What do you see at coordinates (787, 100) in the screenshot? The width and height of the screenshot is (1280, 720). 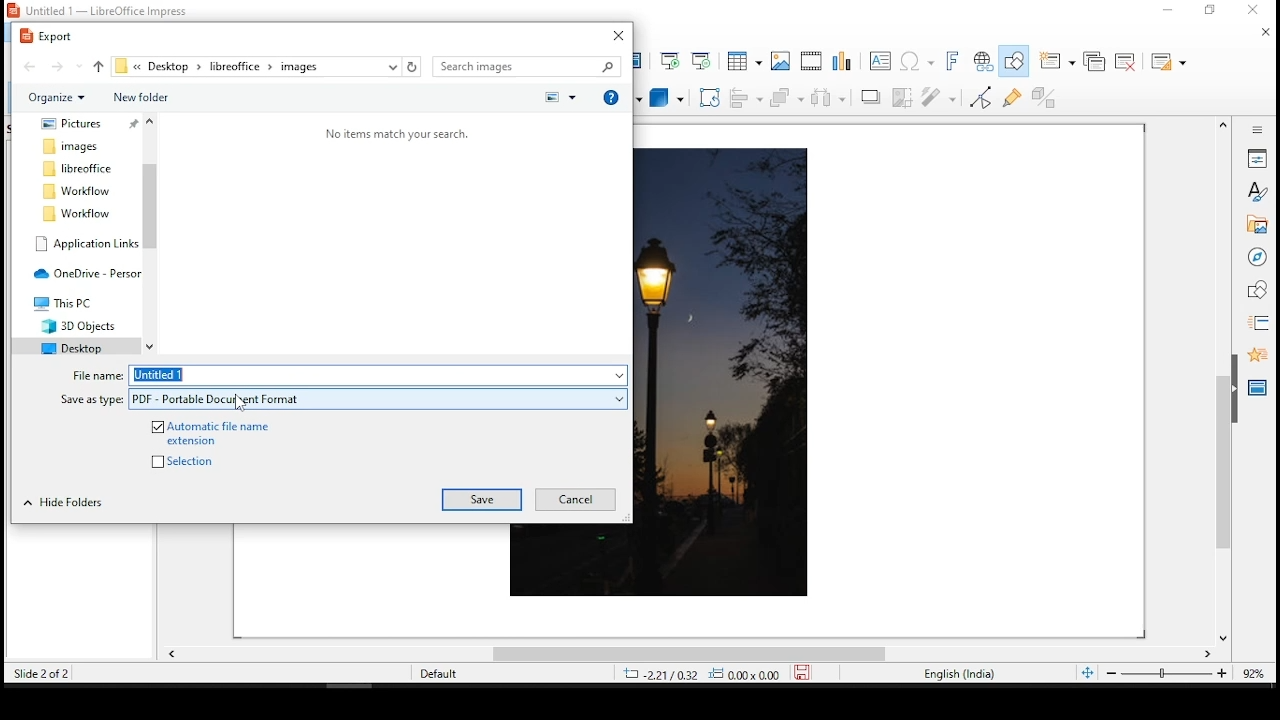 I see `arrange` at bounding box center [787, 100].